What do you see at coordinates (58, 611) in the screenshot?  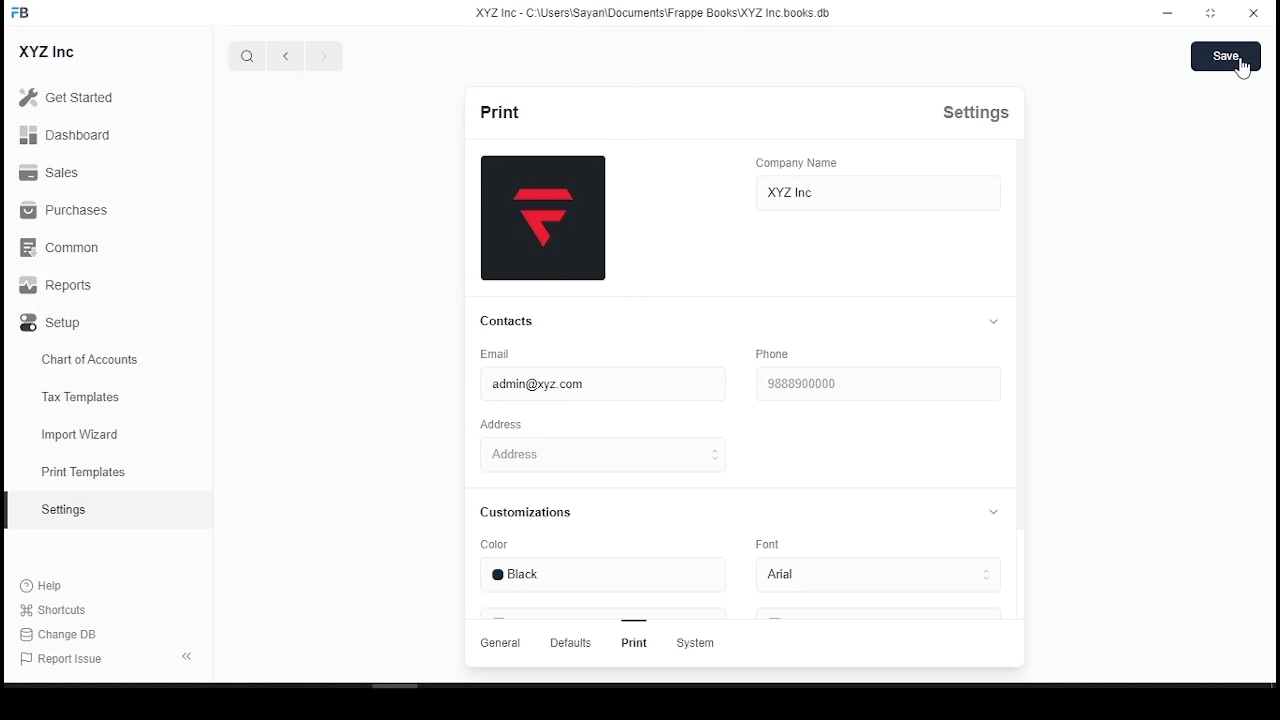 I see `shortcuts` at bounding box center [58, 611].